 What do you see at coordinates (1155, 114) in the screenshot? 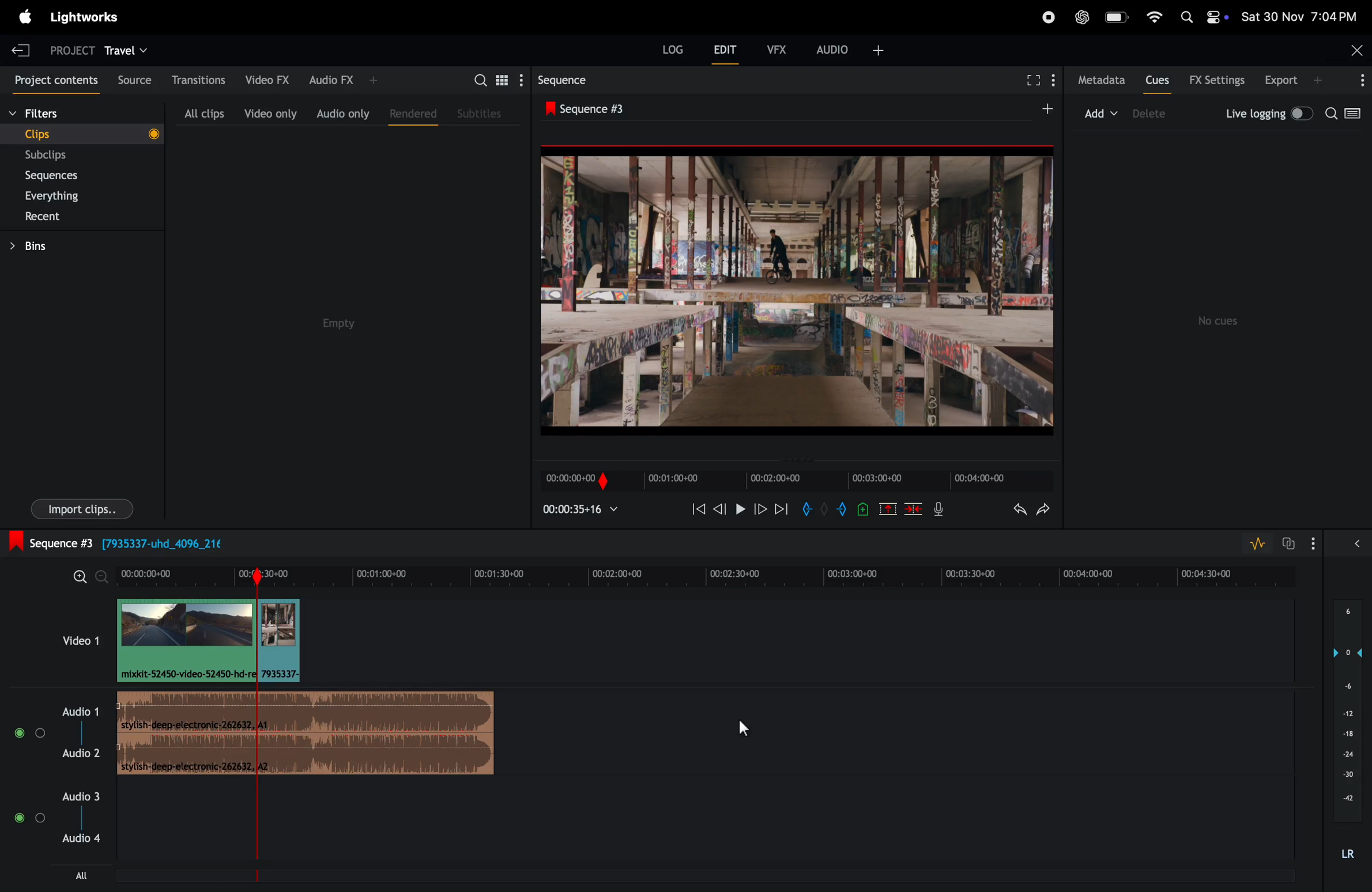
I see `delete` at bounding box center [1155, 114].